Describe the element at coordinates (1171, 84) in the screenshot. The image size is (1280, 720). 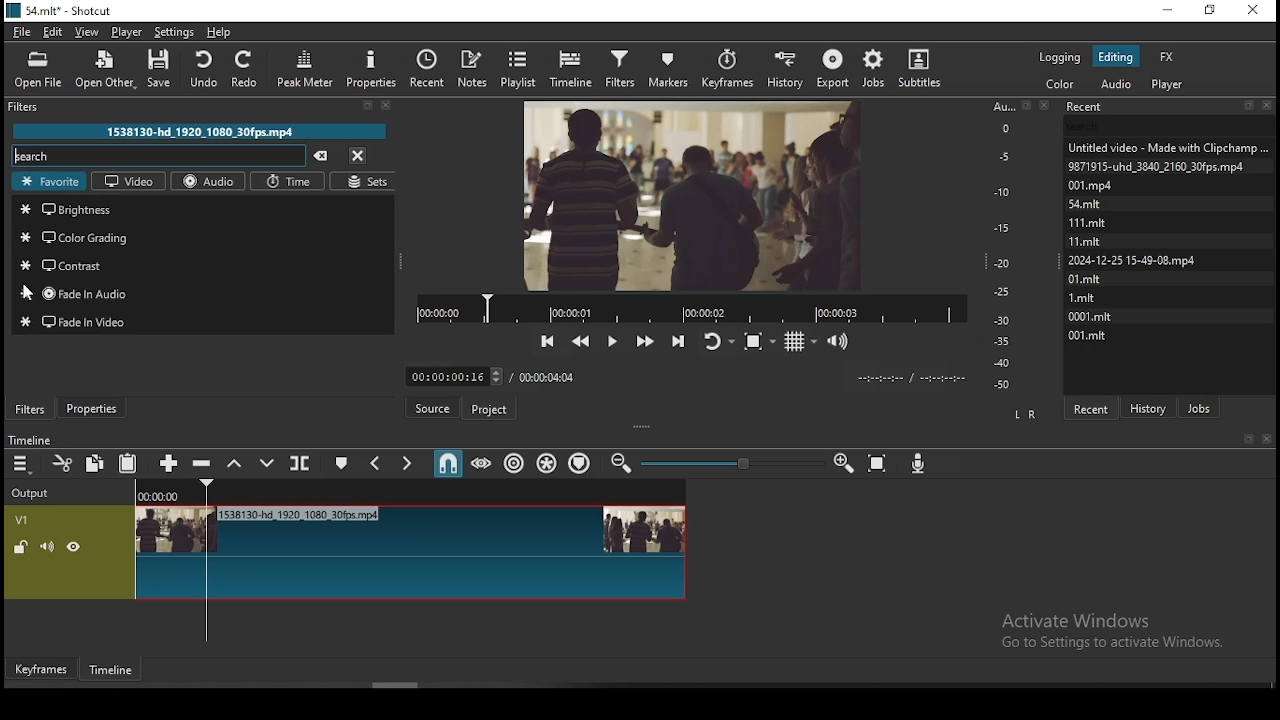
I see `player` at that location.